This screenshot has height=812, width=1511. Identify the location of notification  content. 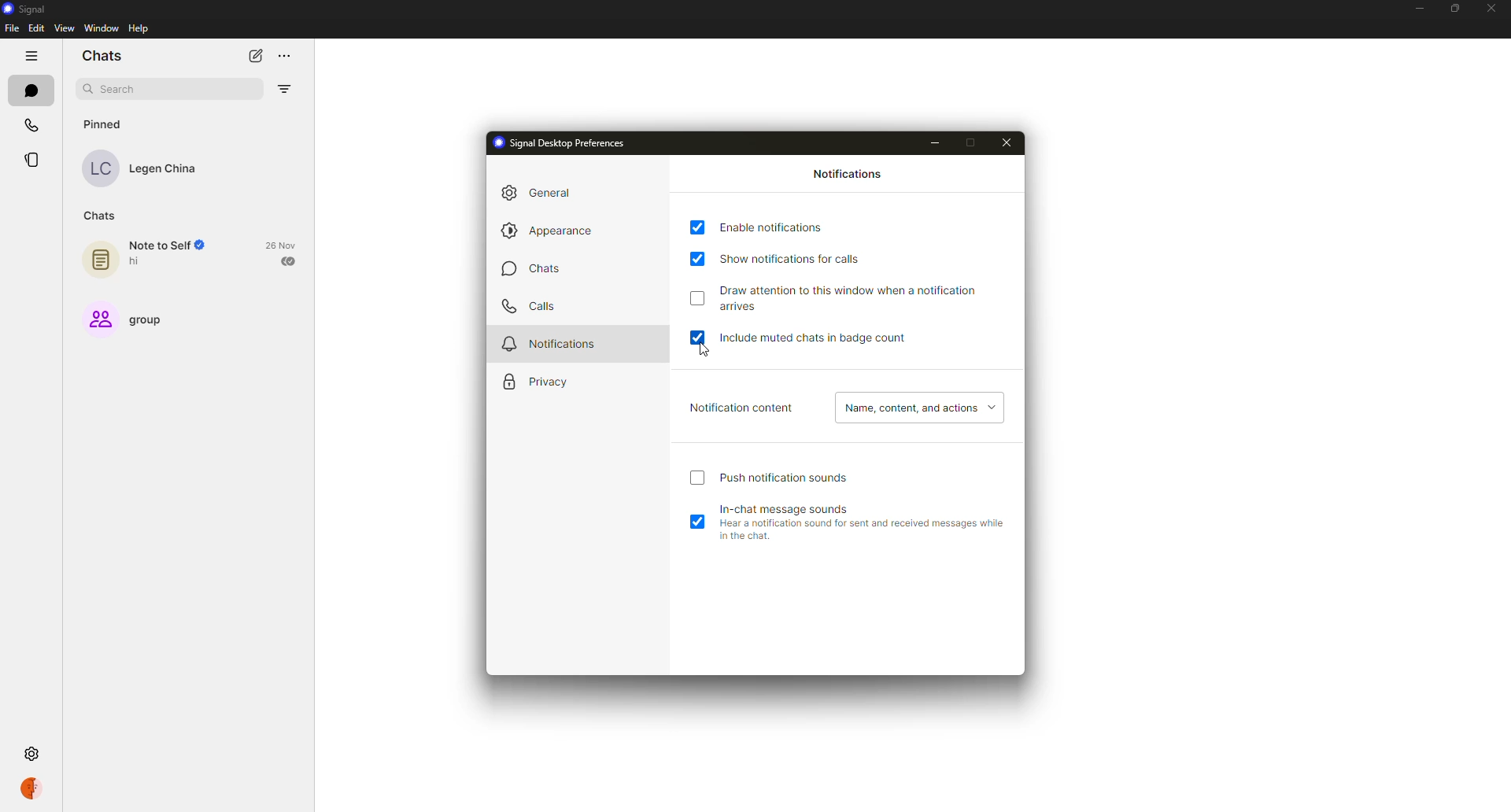
(737, 405).